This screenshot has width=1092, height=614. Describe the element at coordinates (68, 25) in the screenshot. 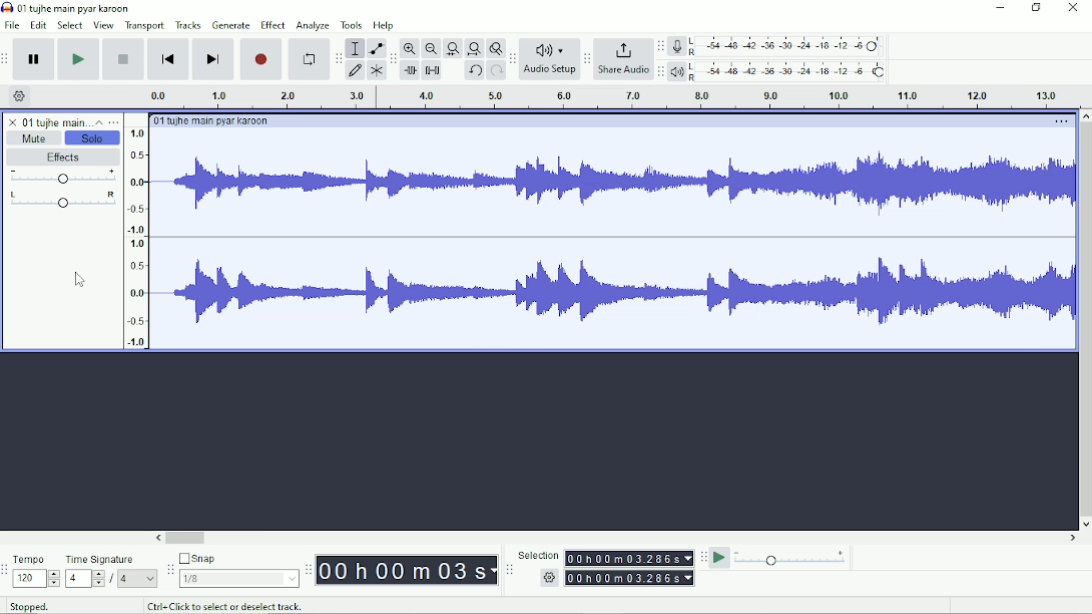

I see `Select` at that location.